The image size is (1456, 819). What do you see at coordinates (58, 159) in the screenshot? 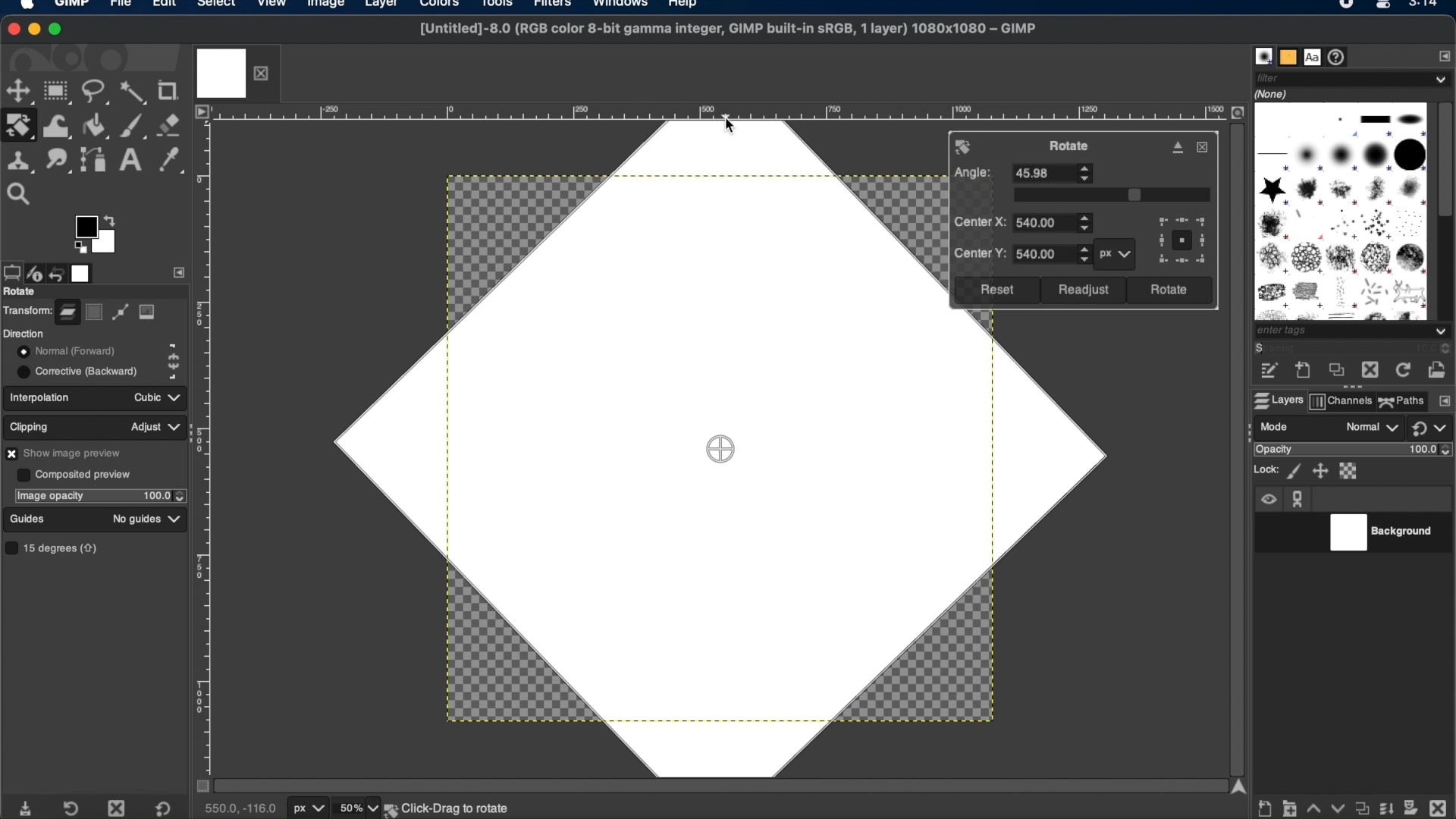
I see `smudge tool` at bounding box center [58, 159].